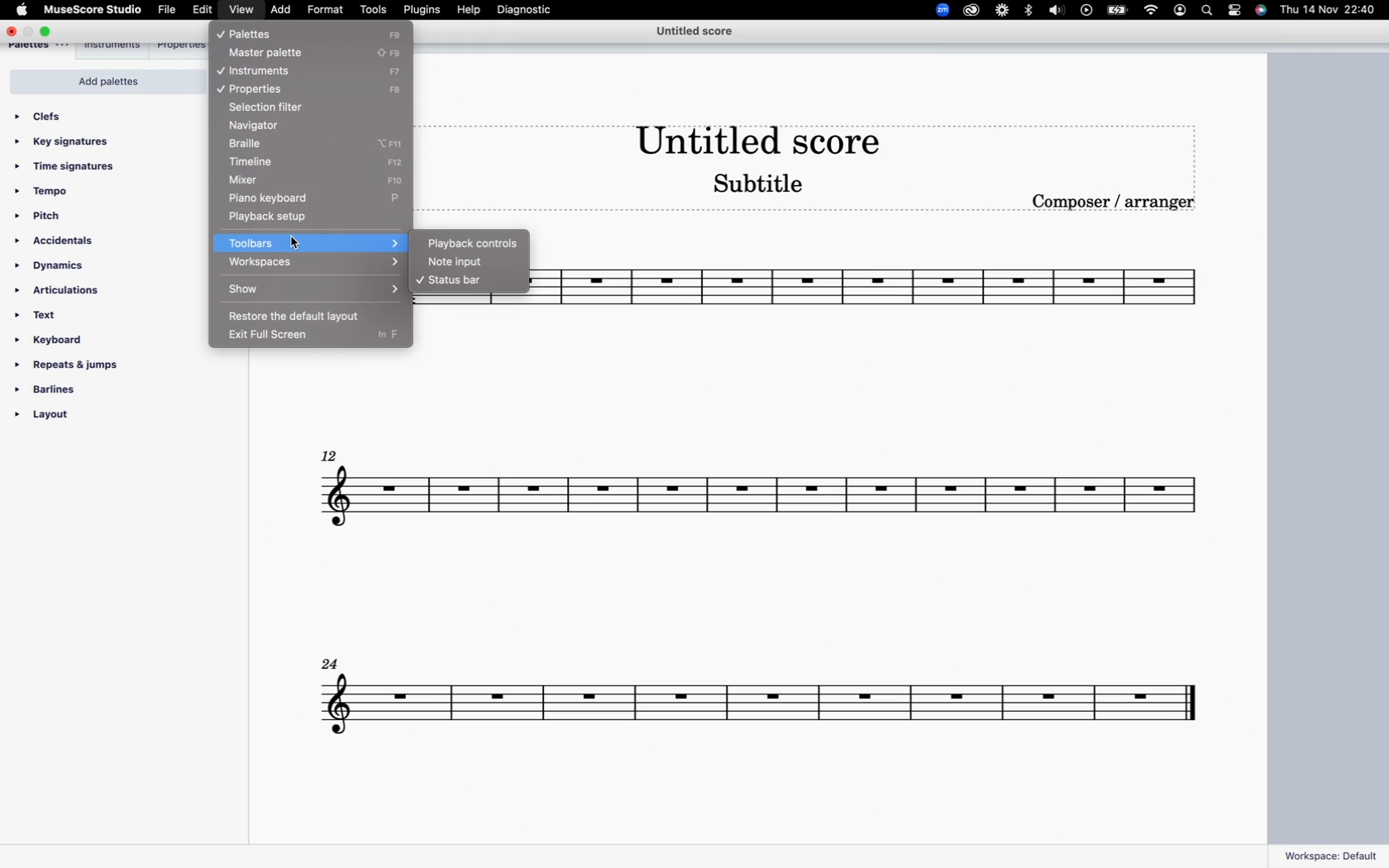  What do you see at coordinates (389, 338) in the screenshot?
I see `fn F` at bounding box center [389, 338].